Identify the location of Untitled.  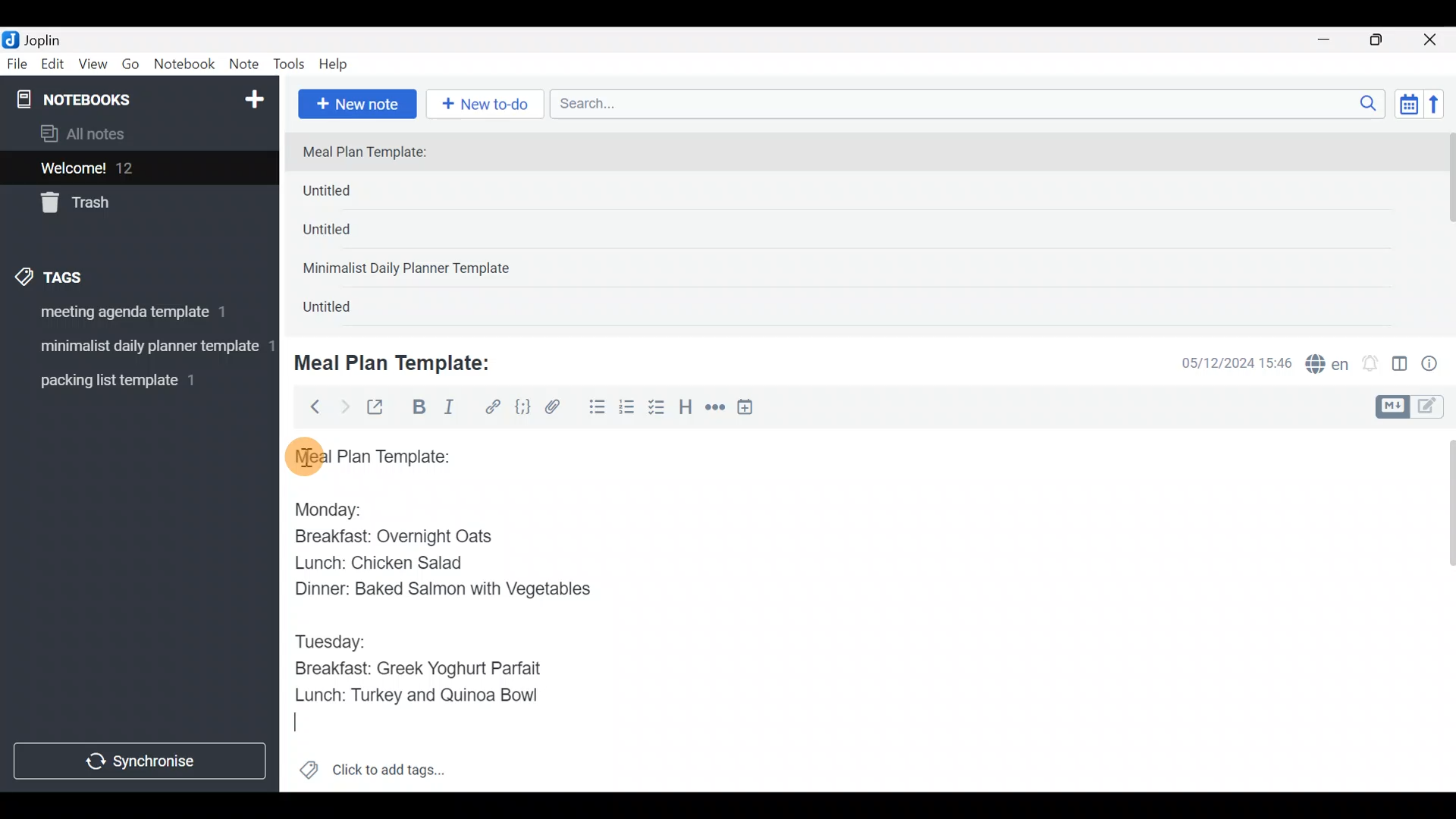
(347, 234).